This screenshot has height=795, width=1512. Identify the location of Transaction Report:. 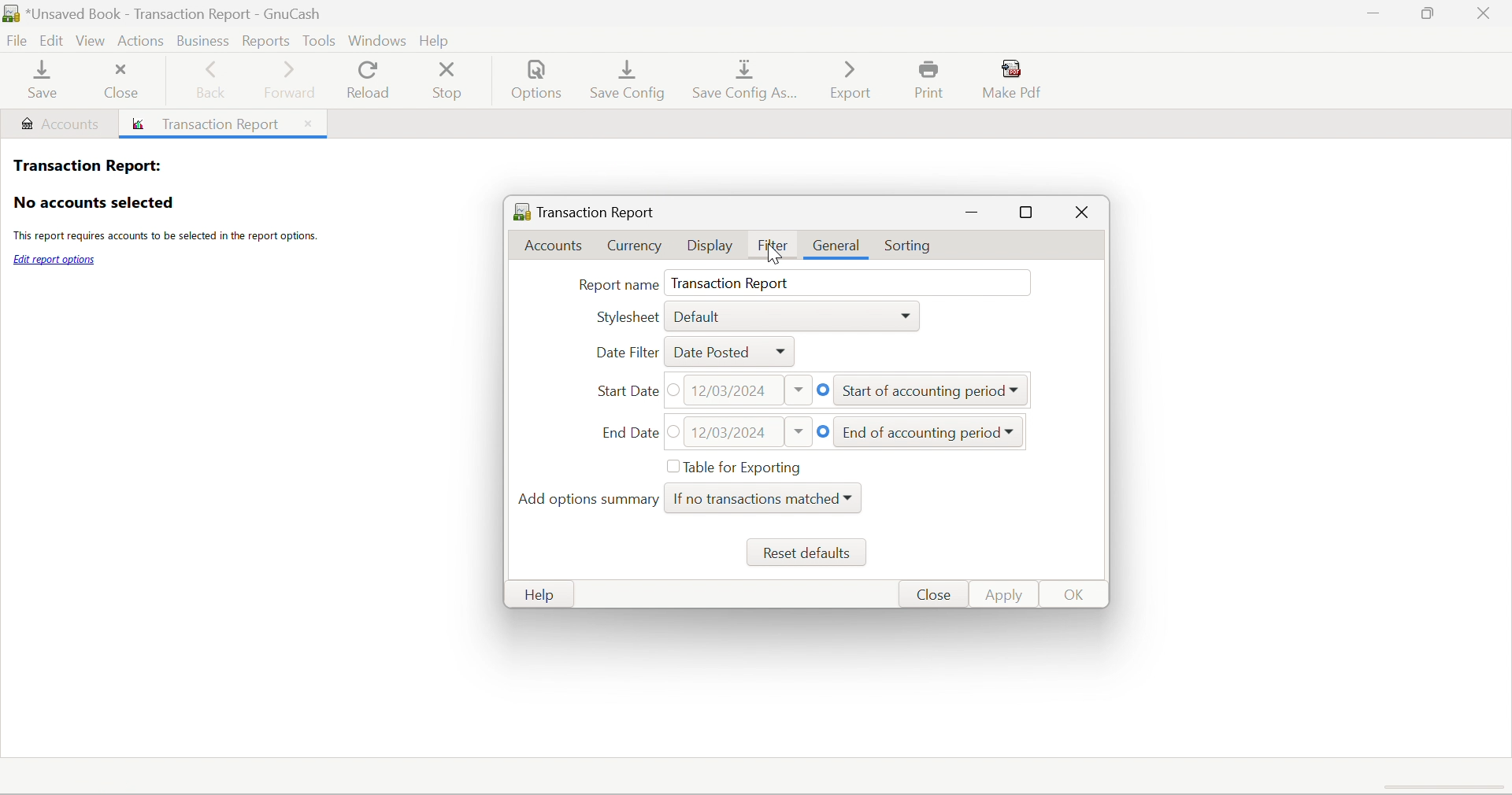
(86, 164).